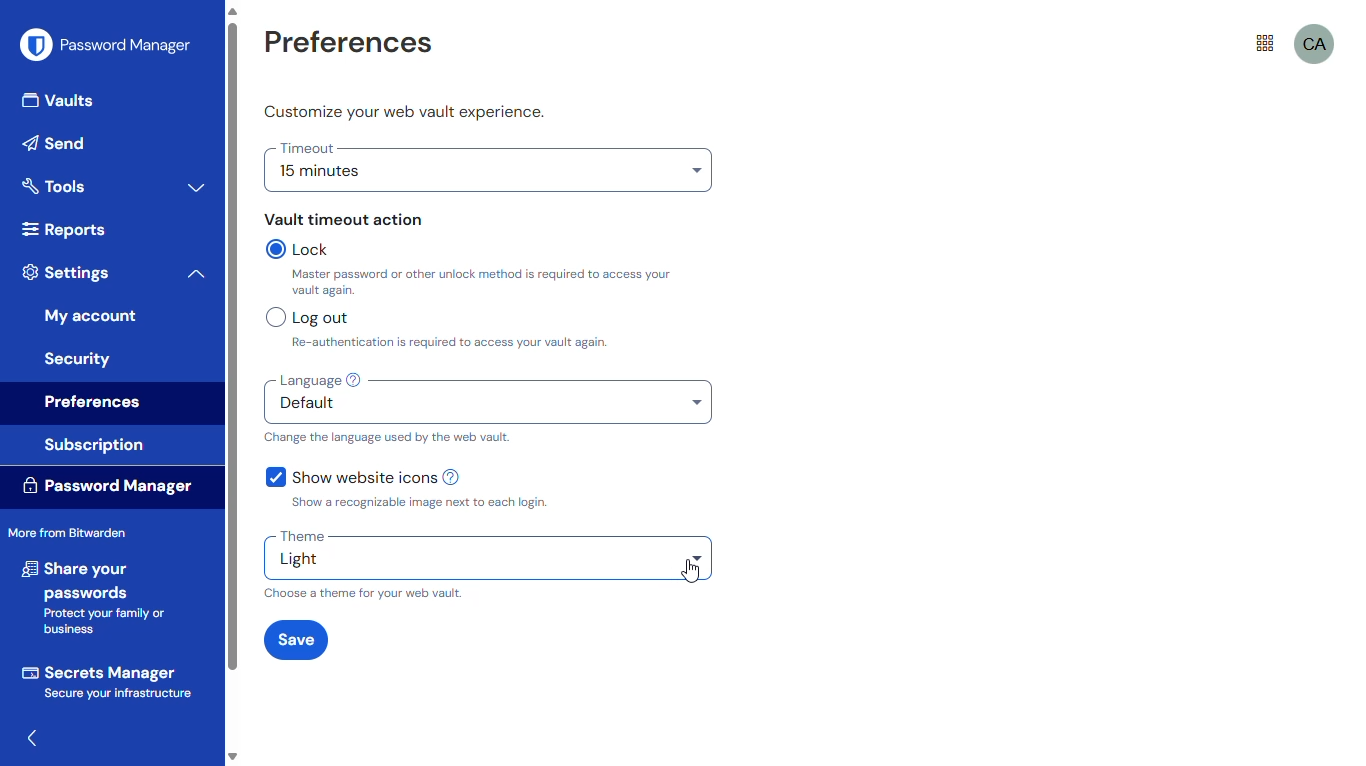  What do you see at coordinates (533, 342) in the screenshot?
I see `Re-authentication is required to access your vault again.` at bounding box center [533, 342].